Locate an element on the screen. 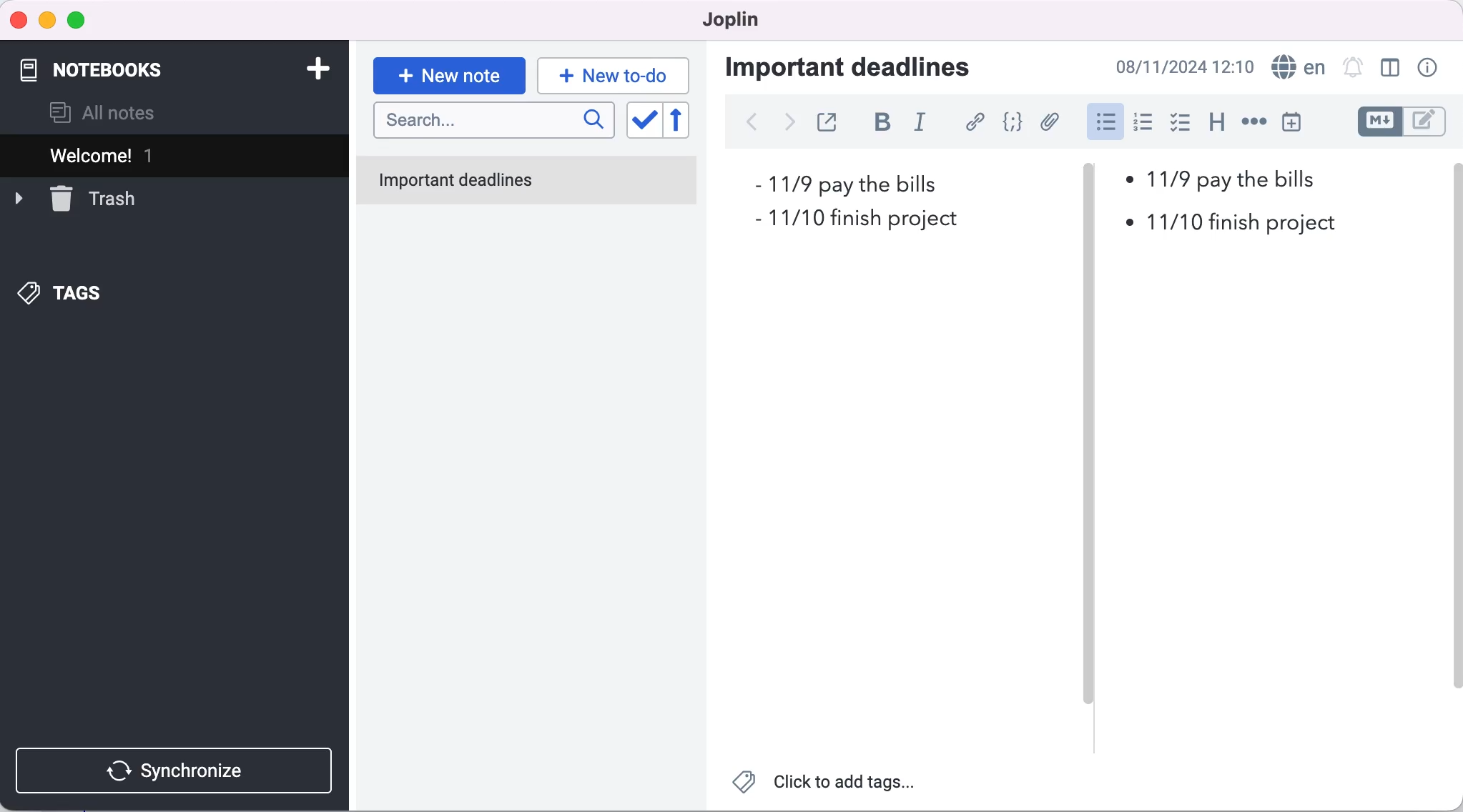 The height and width of the screenshot is (812, 1463). cursor is located at coordinates (1105, 123).